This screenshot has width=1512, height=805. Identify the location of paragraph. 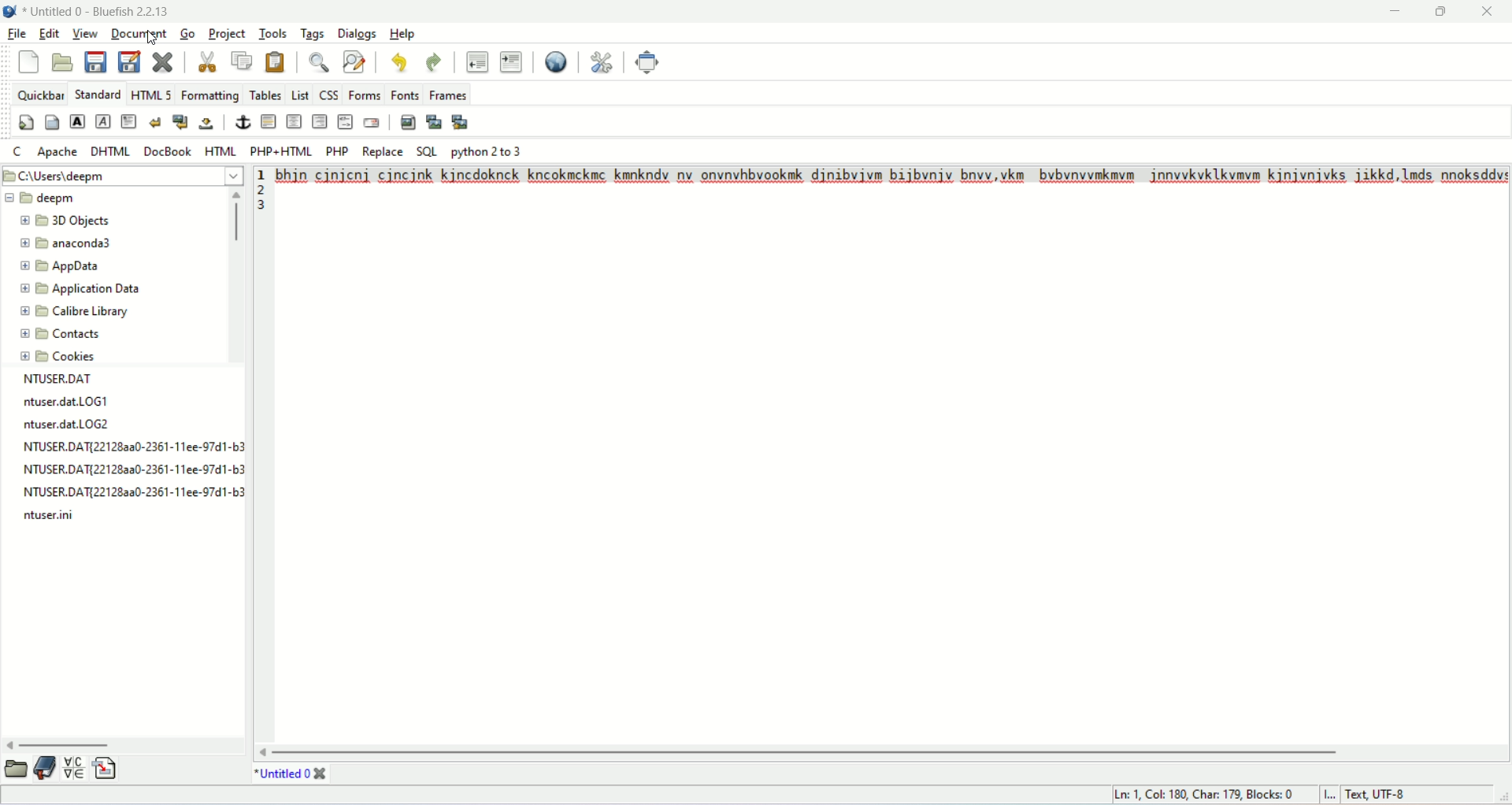
(130, 122).